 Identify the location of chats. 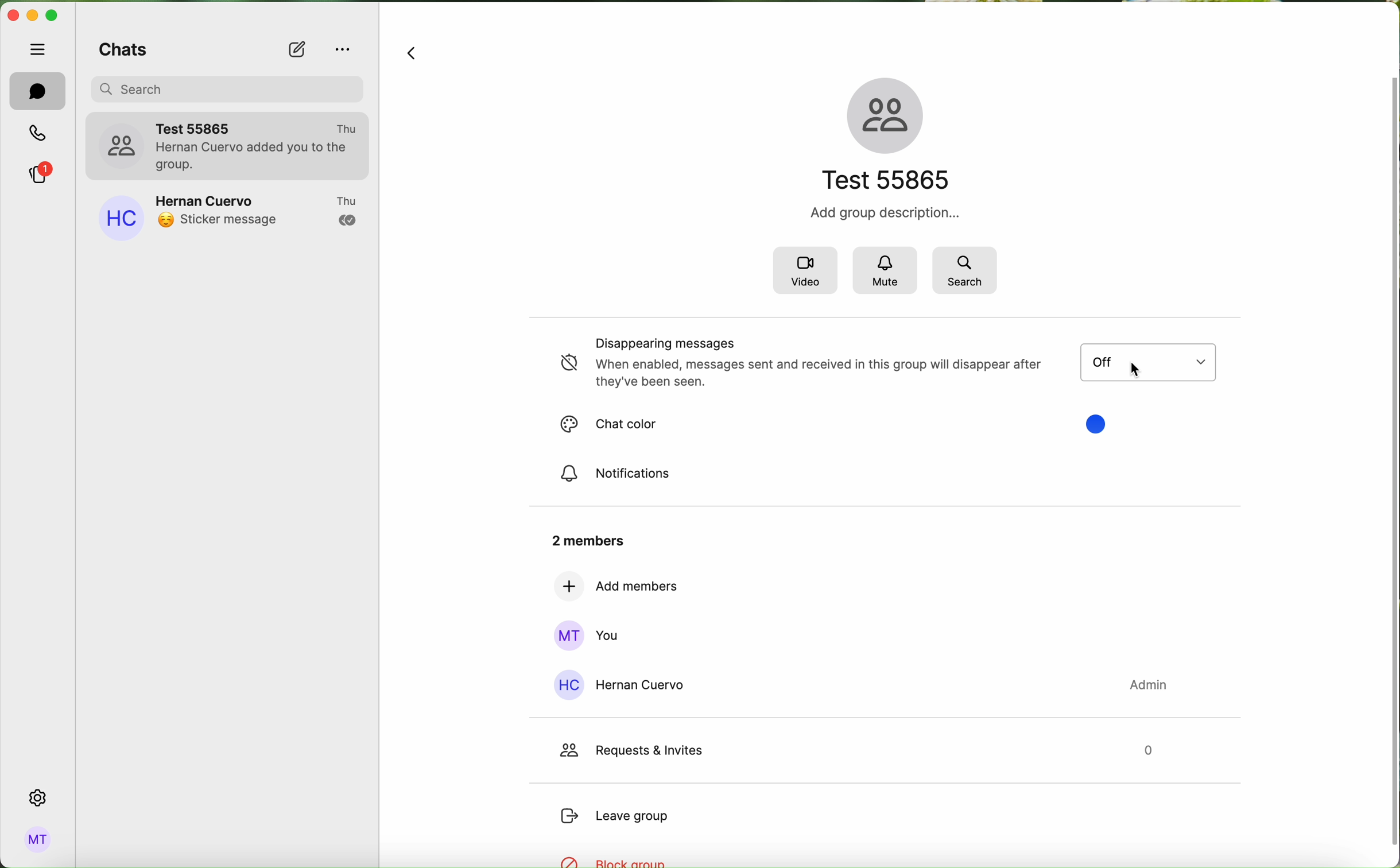
(120, 49).